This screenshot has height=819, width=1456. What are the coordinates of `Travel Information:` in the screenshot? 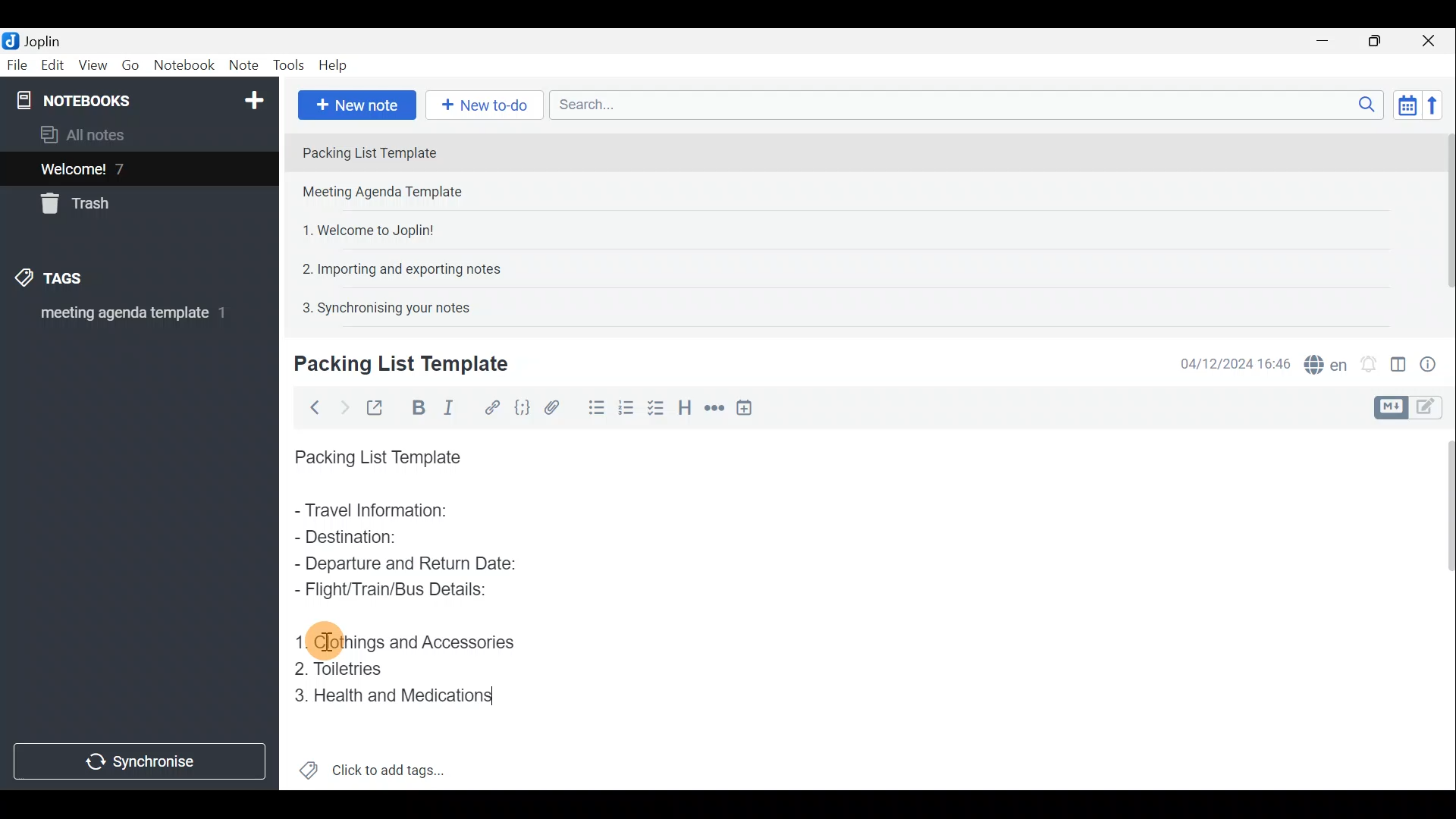 It's located at (384, 512).